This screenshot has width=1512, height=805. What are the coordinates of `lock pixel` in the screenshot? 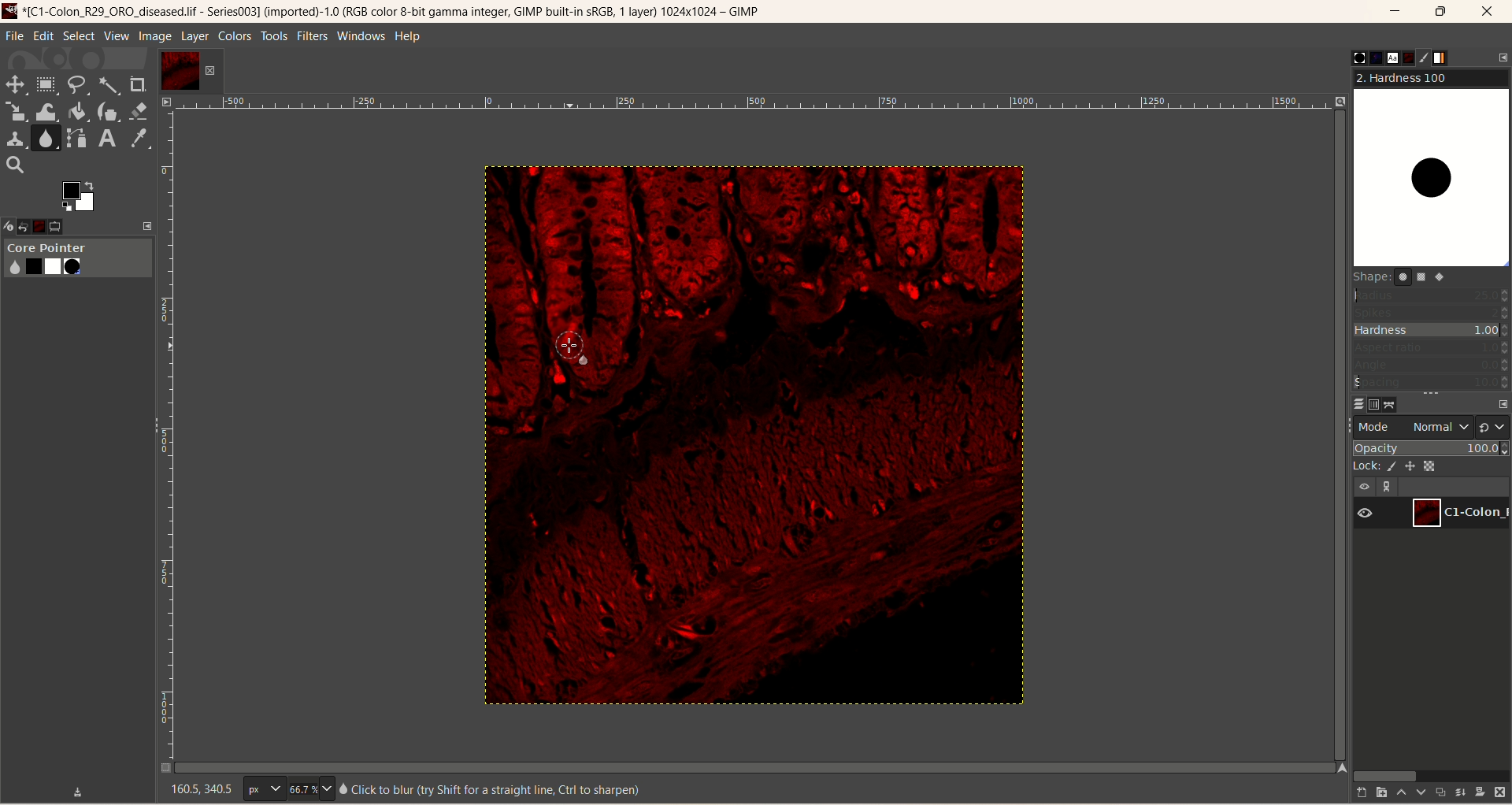 It's located at (1395, 464).